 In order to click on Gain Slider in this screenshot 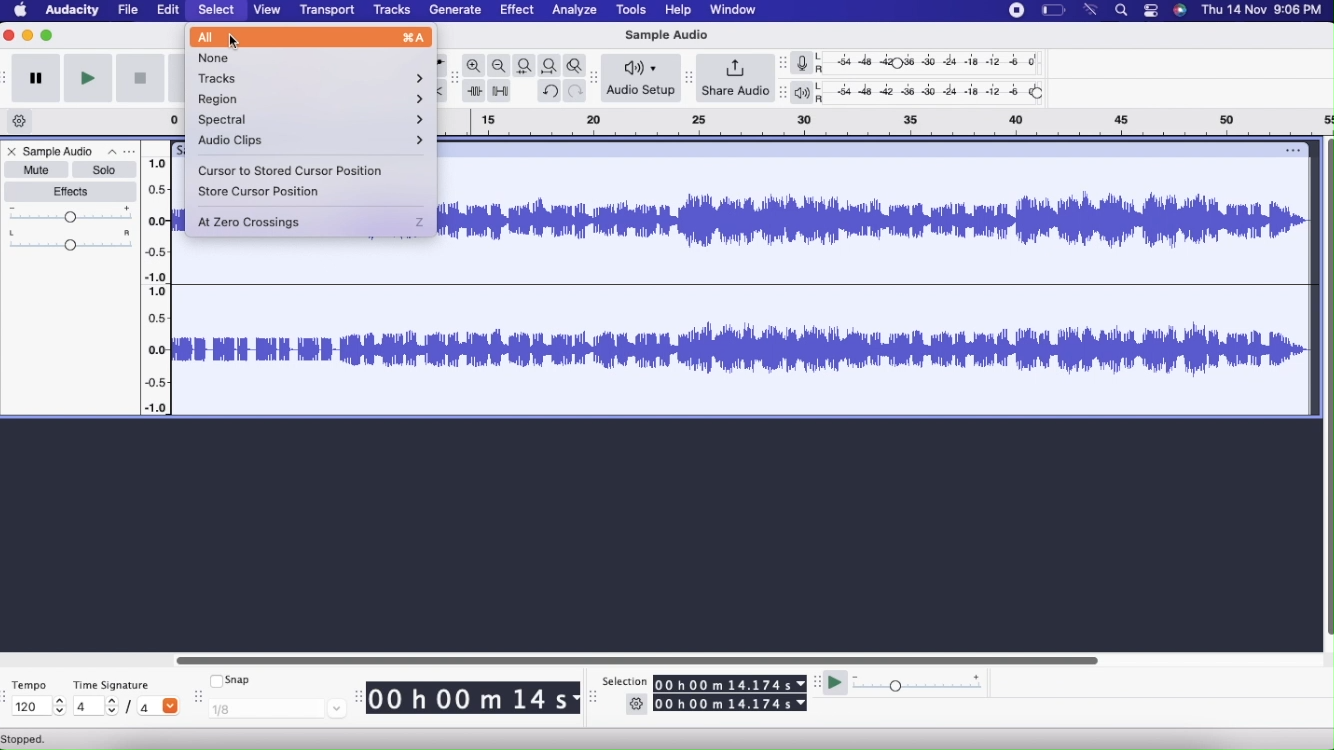, I will do `click(69, 216)`.